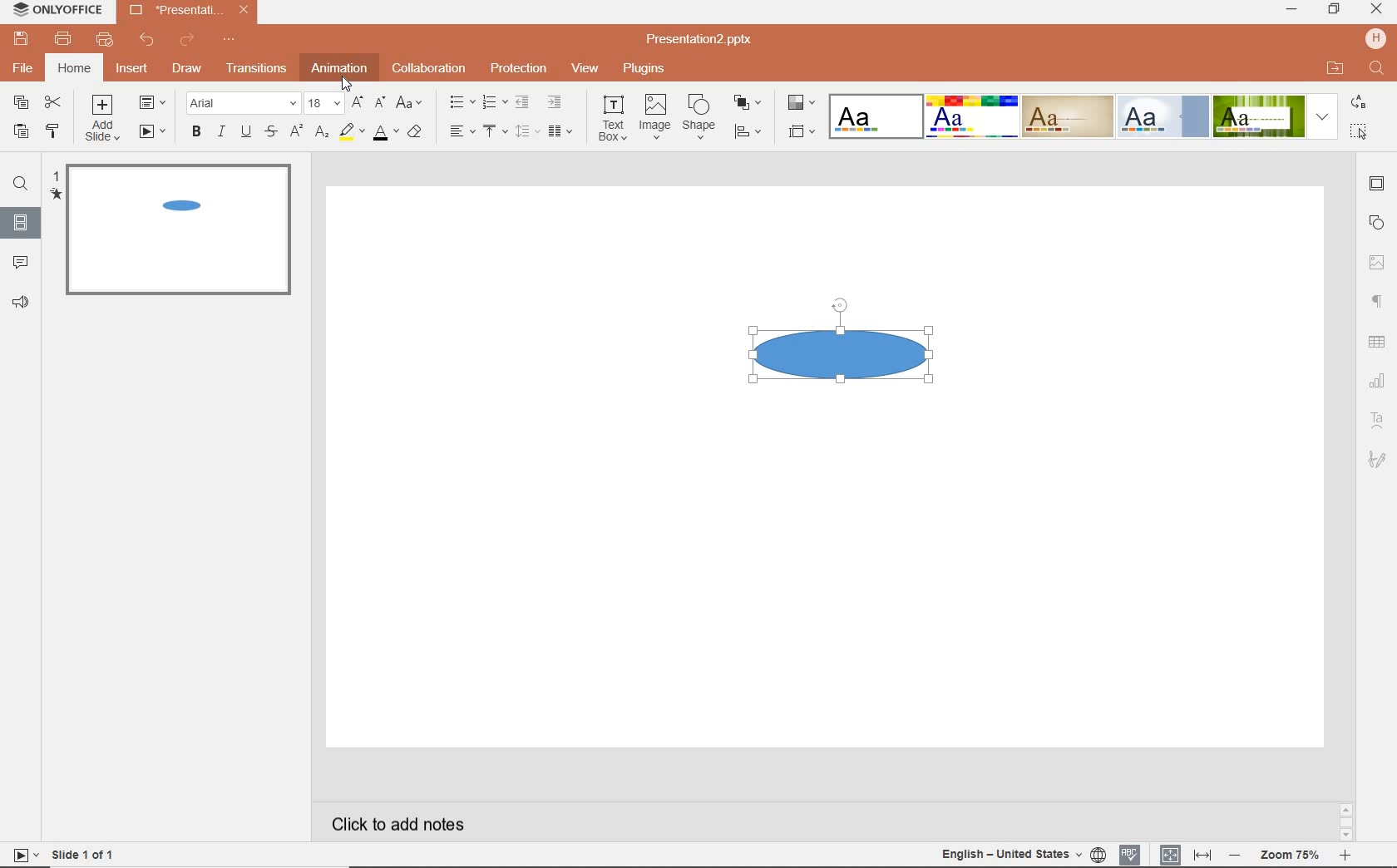 The height and width of the screenshot is (868, 1397). I want to click on COPY STYLE, so click(50, 131).